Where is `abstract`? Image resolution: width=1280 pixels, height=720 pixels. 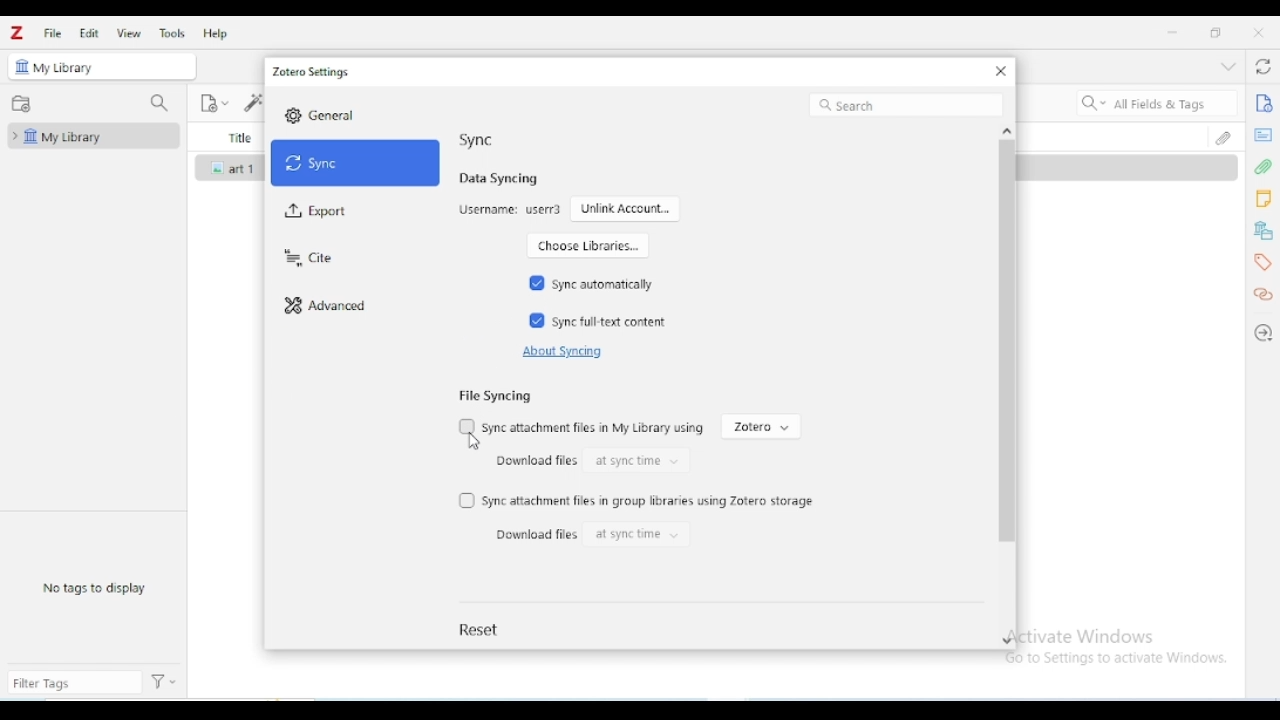
abstract is located at coordinates (1263, 135).